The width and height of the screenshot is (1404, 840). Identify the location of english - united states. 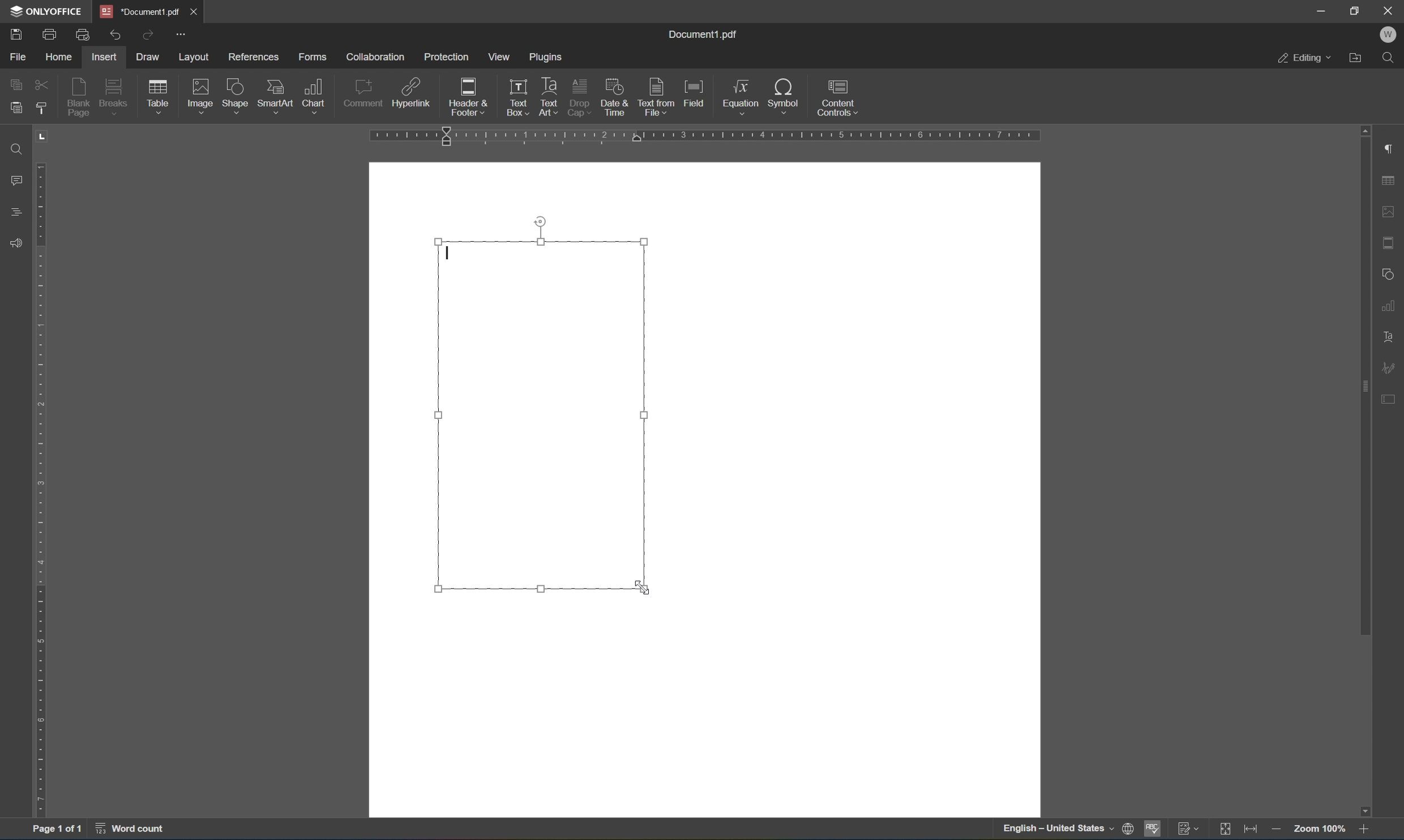
(1056, 830).